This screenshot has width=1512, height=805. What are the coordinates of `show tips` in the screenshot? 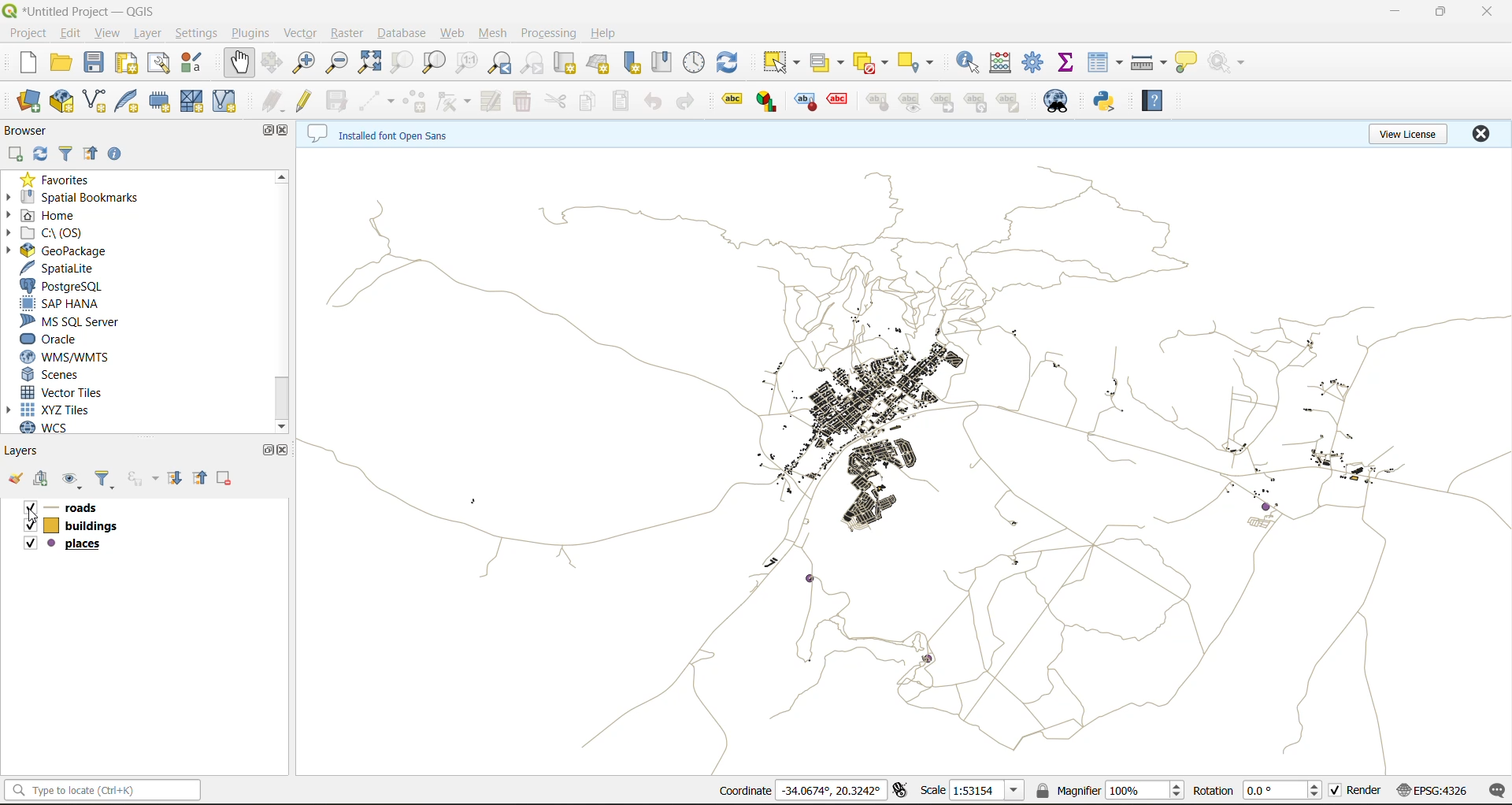 It's located at (1187, 63).